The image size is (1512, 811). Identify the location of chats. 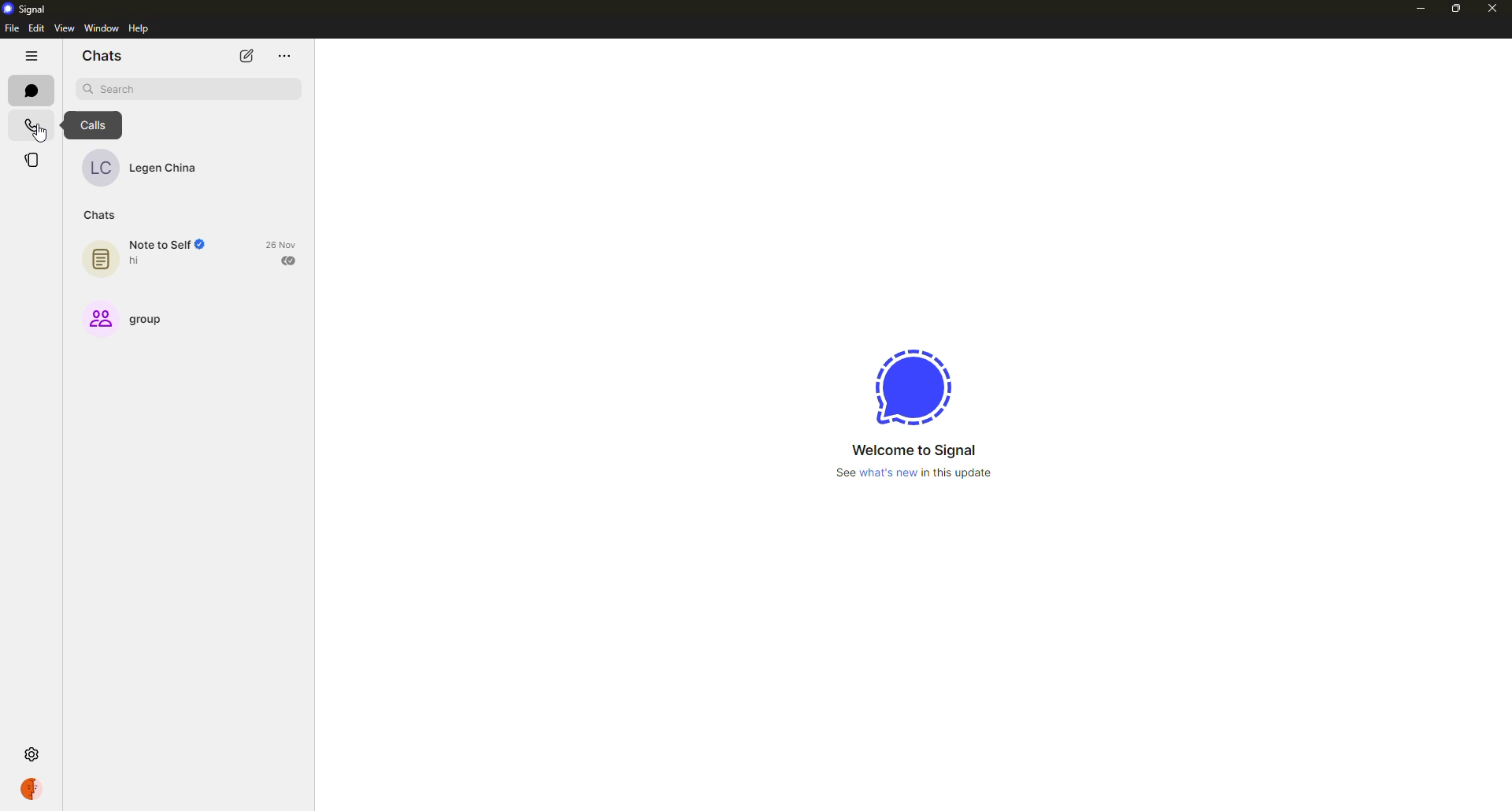
(102, 56).